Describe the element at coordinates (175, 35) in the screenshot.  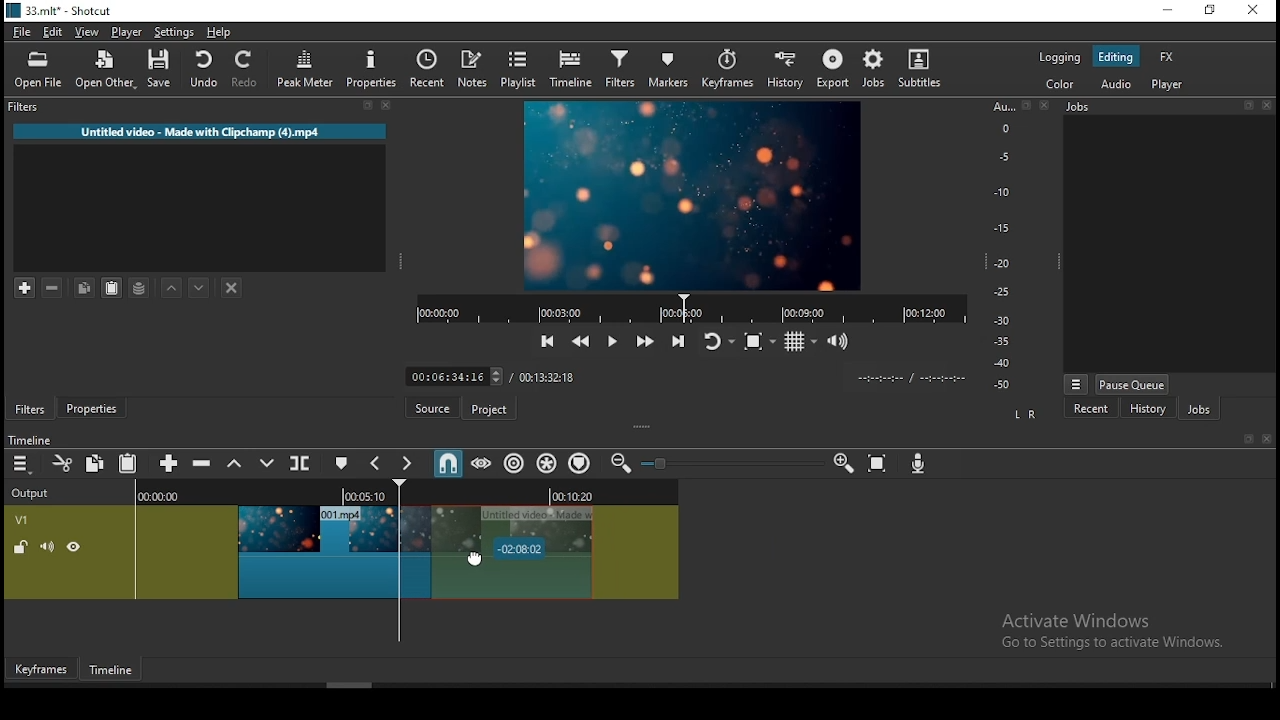
I see `settings` at that location.